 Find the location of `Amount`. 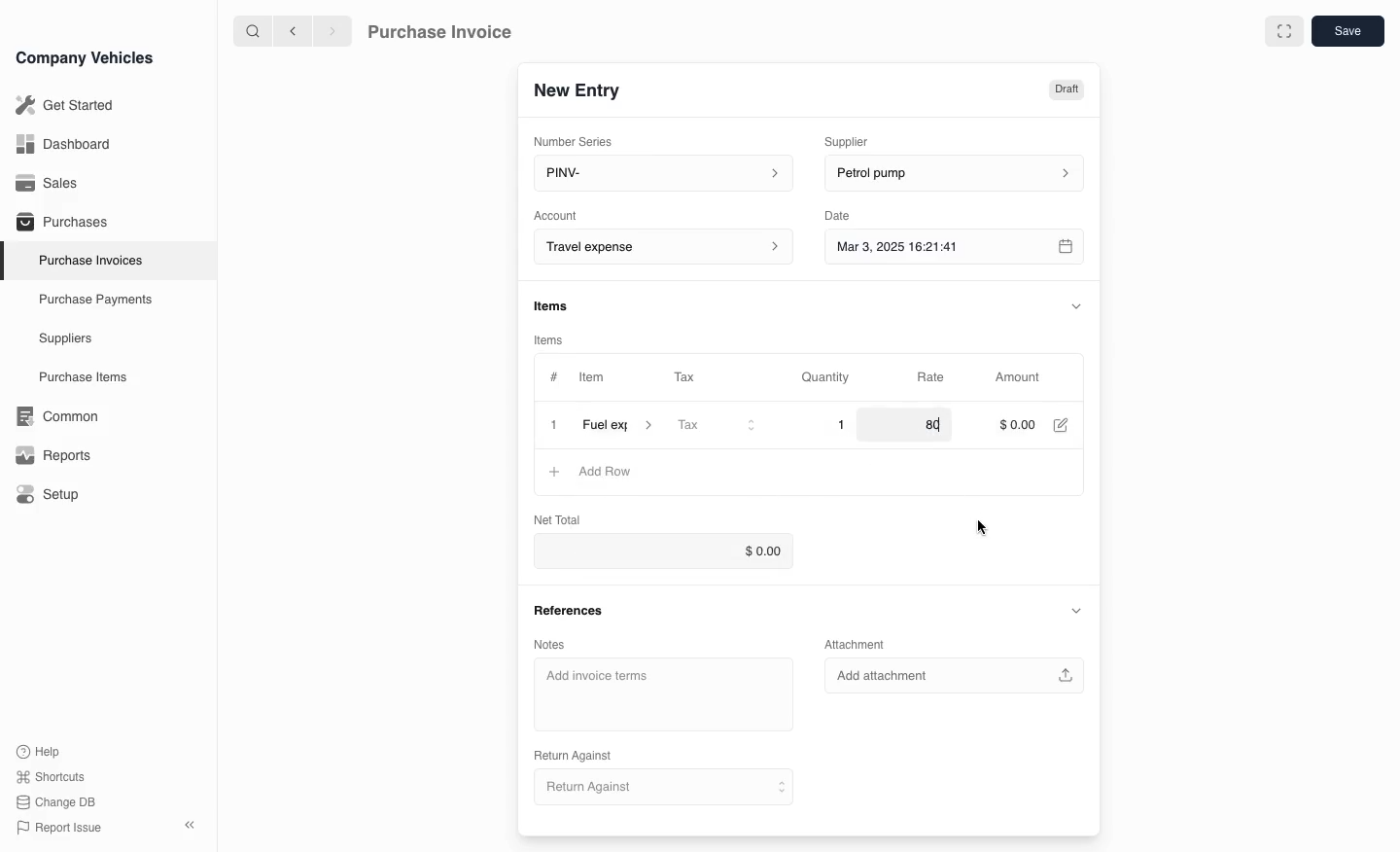

Amount is located at coordinates (1022, 377).